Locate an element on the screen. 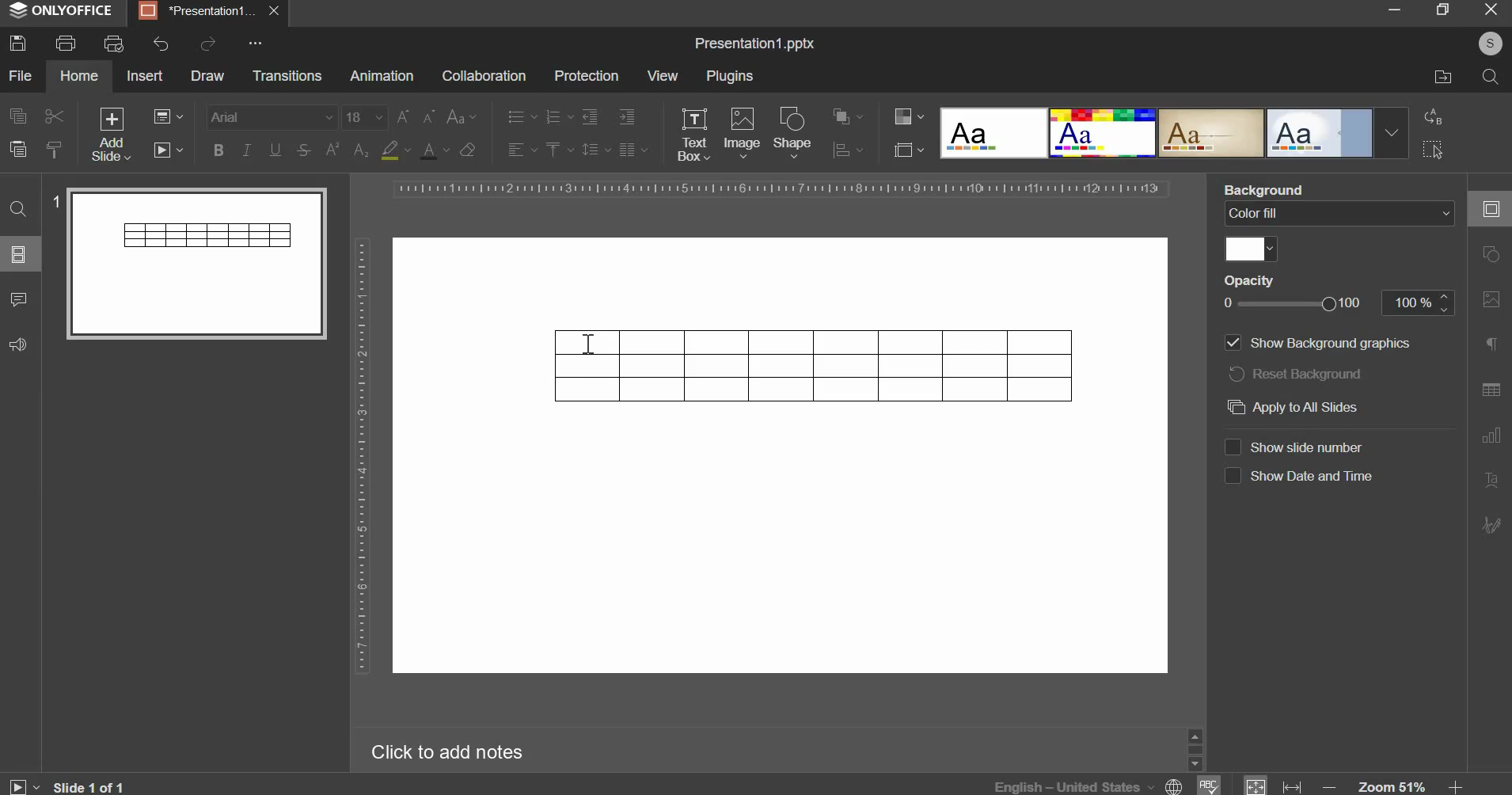 This screenshot has height=795, width=1512. transitions is located at coordinates (287, 74).